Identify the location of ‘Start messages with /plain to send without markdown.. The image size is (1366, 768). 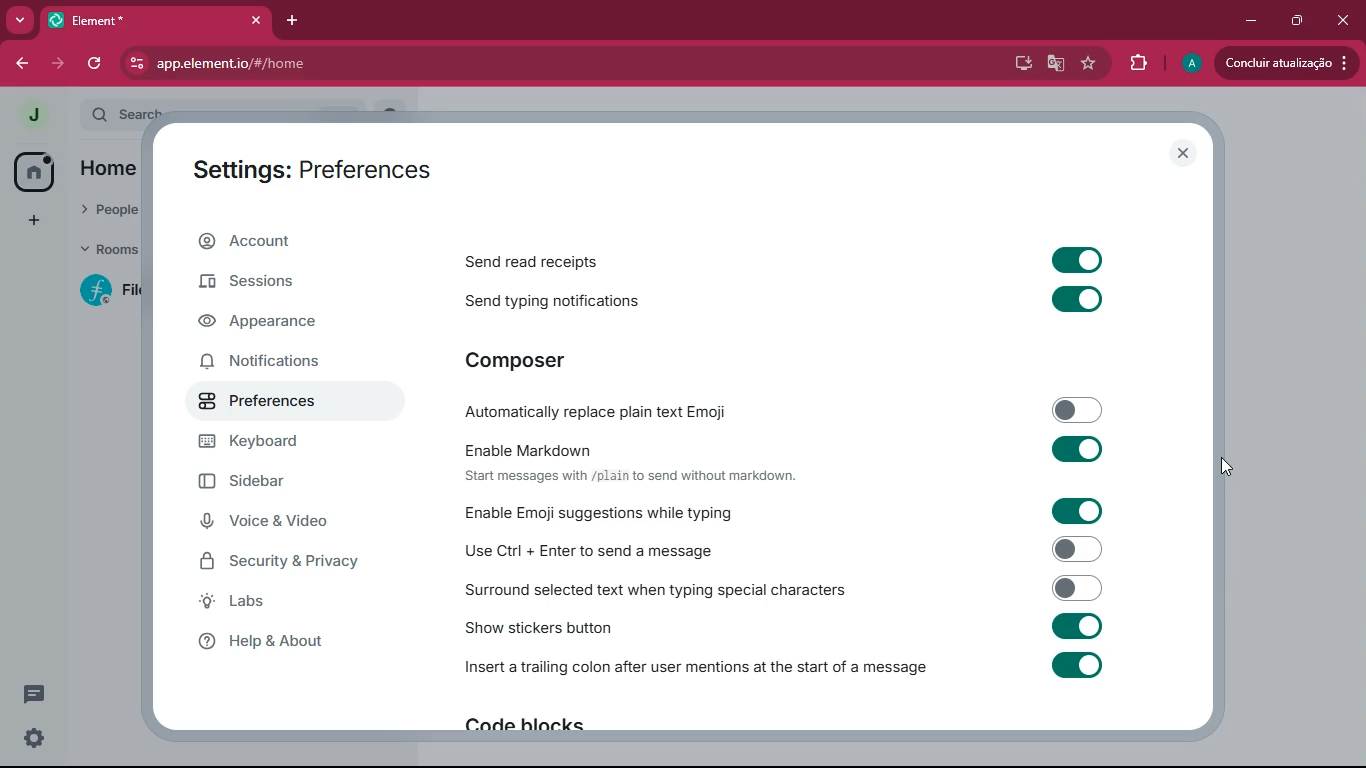
(634, 479).